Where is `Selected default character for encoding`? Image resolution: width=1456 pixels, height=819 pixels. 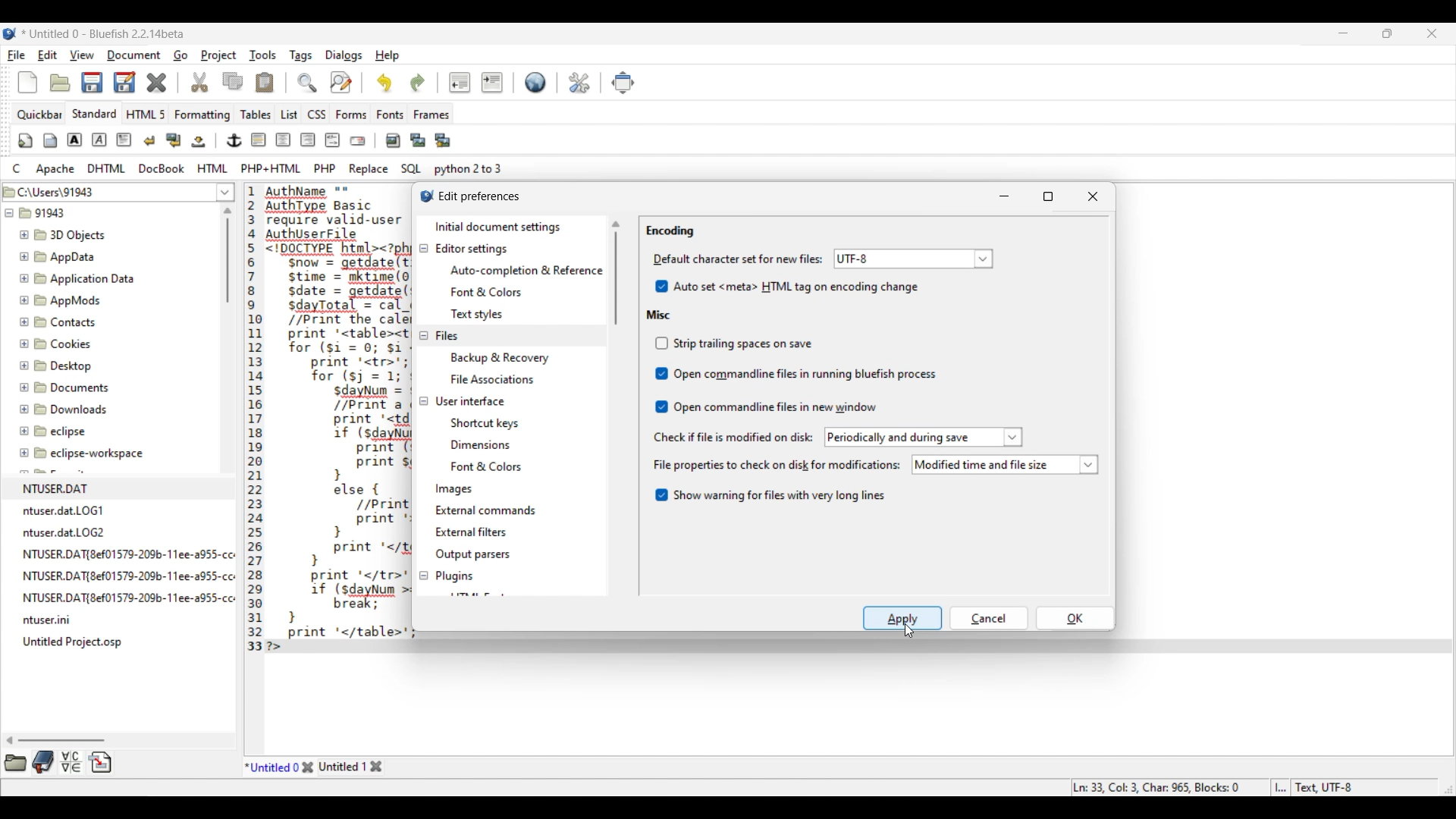
Selected default character for encoding is located at coordinates (912, 258).